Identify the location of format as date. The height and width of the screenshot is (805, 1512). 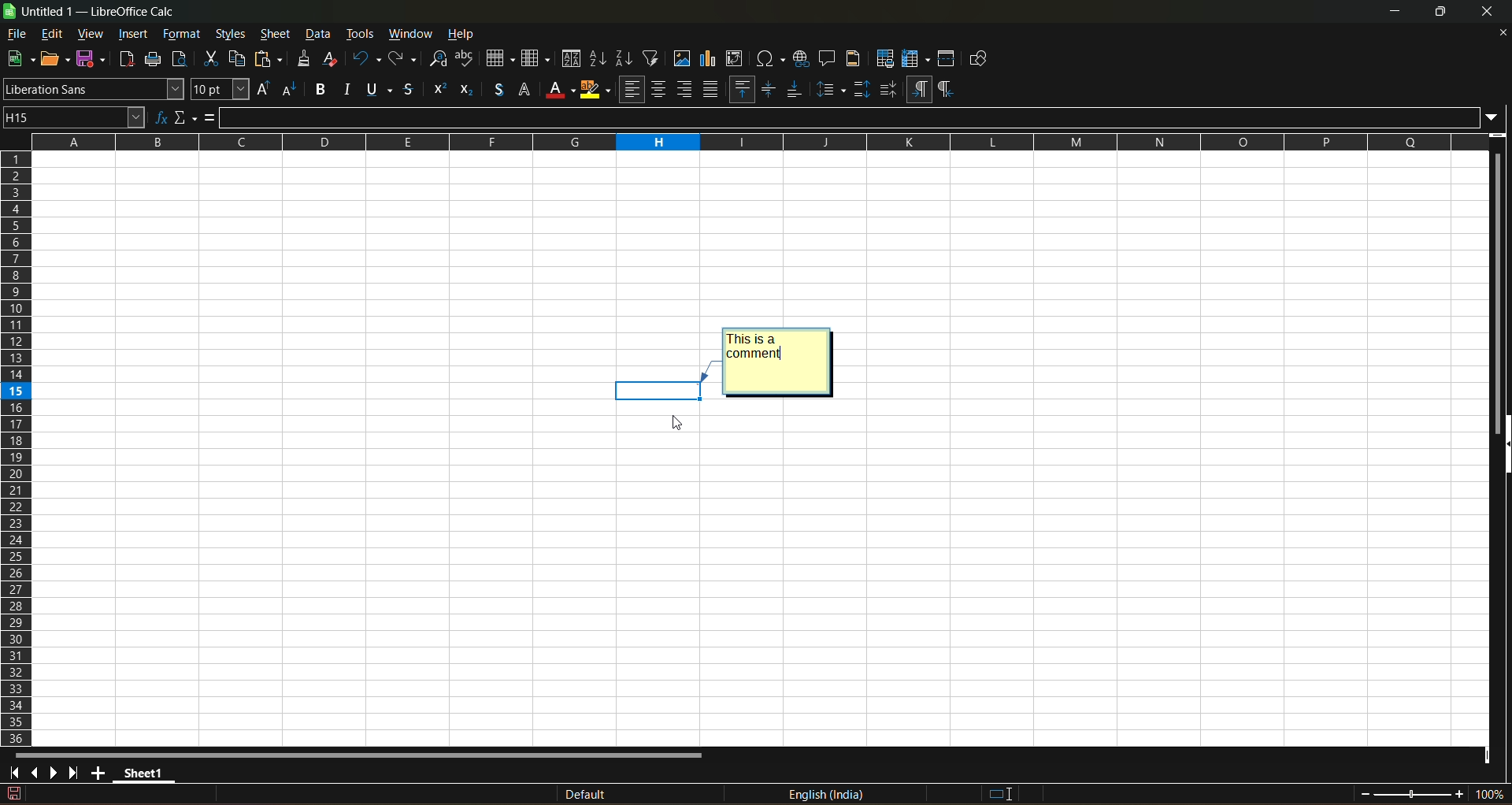
(810, 89).